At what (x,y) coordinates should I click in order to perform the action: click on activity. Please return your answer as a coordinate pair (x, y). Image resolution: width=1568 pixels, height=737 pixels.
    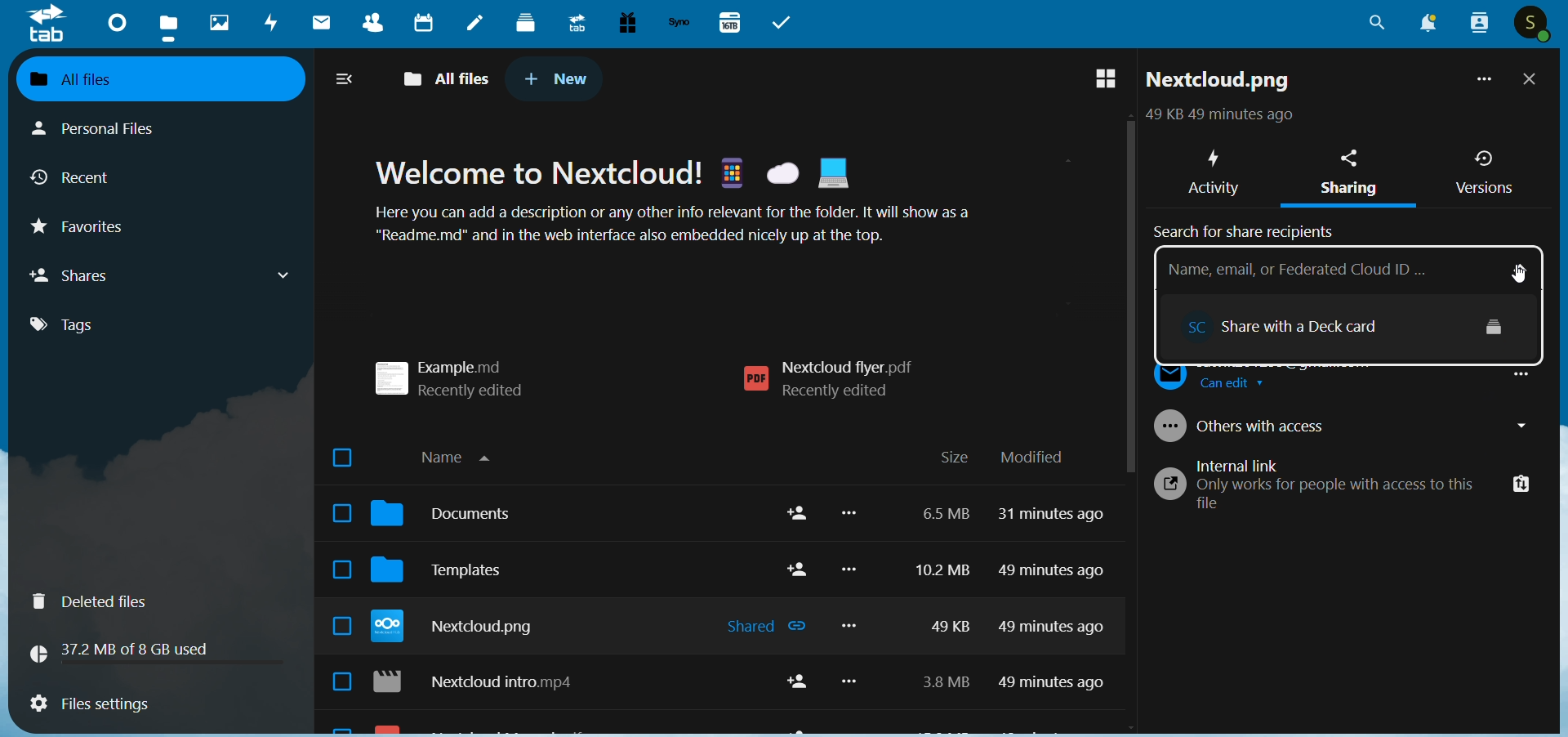
    Looking at the image, I should click on (273, 25).